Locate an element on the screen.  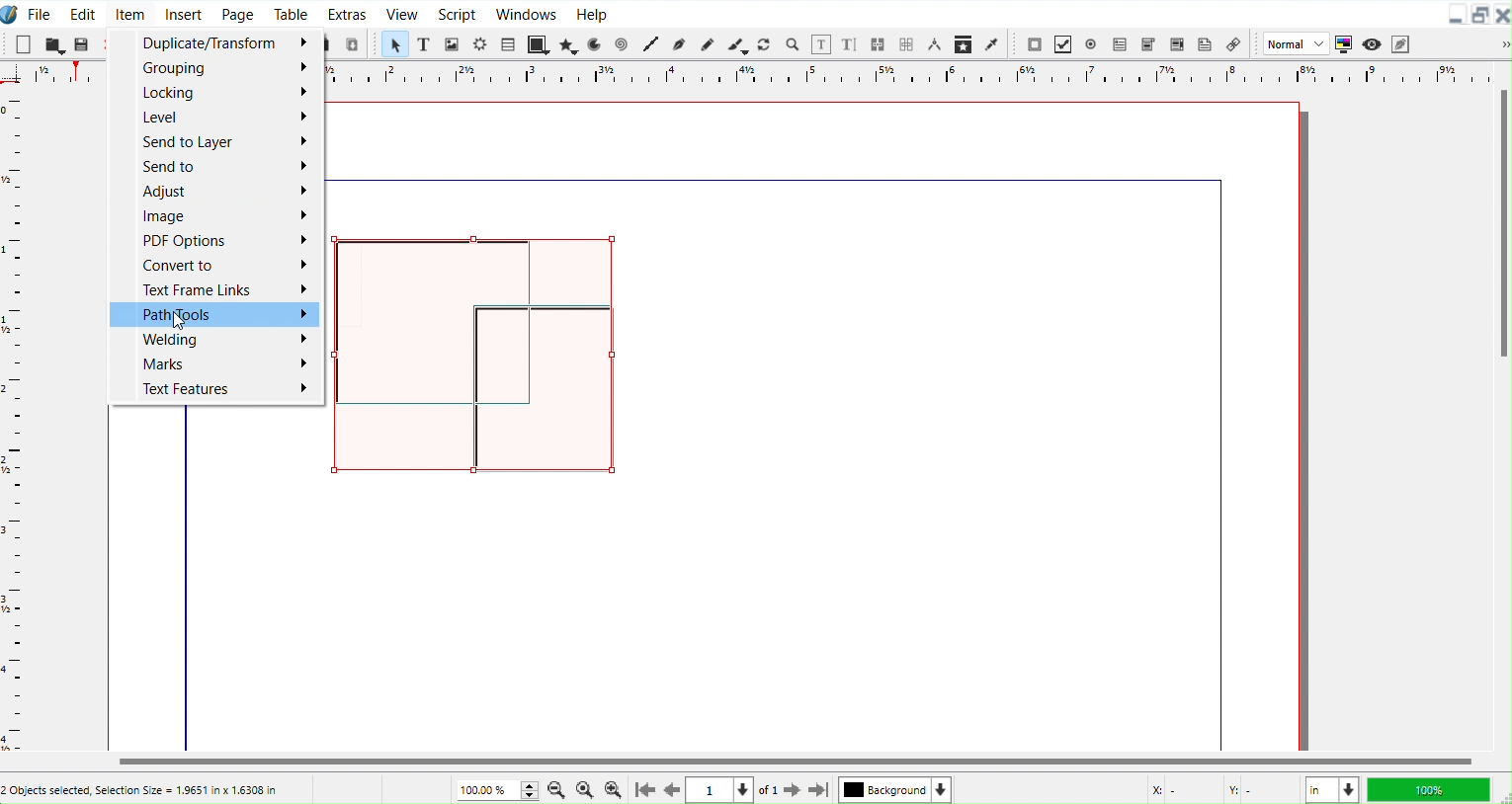
Script is located at coordinates (458, 13).